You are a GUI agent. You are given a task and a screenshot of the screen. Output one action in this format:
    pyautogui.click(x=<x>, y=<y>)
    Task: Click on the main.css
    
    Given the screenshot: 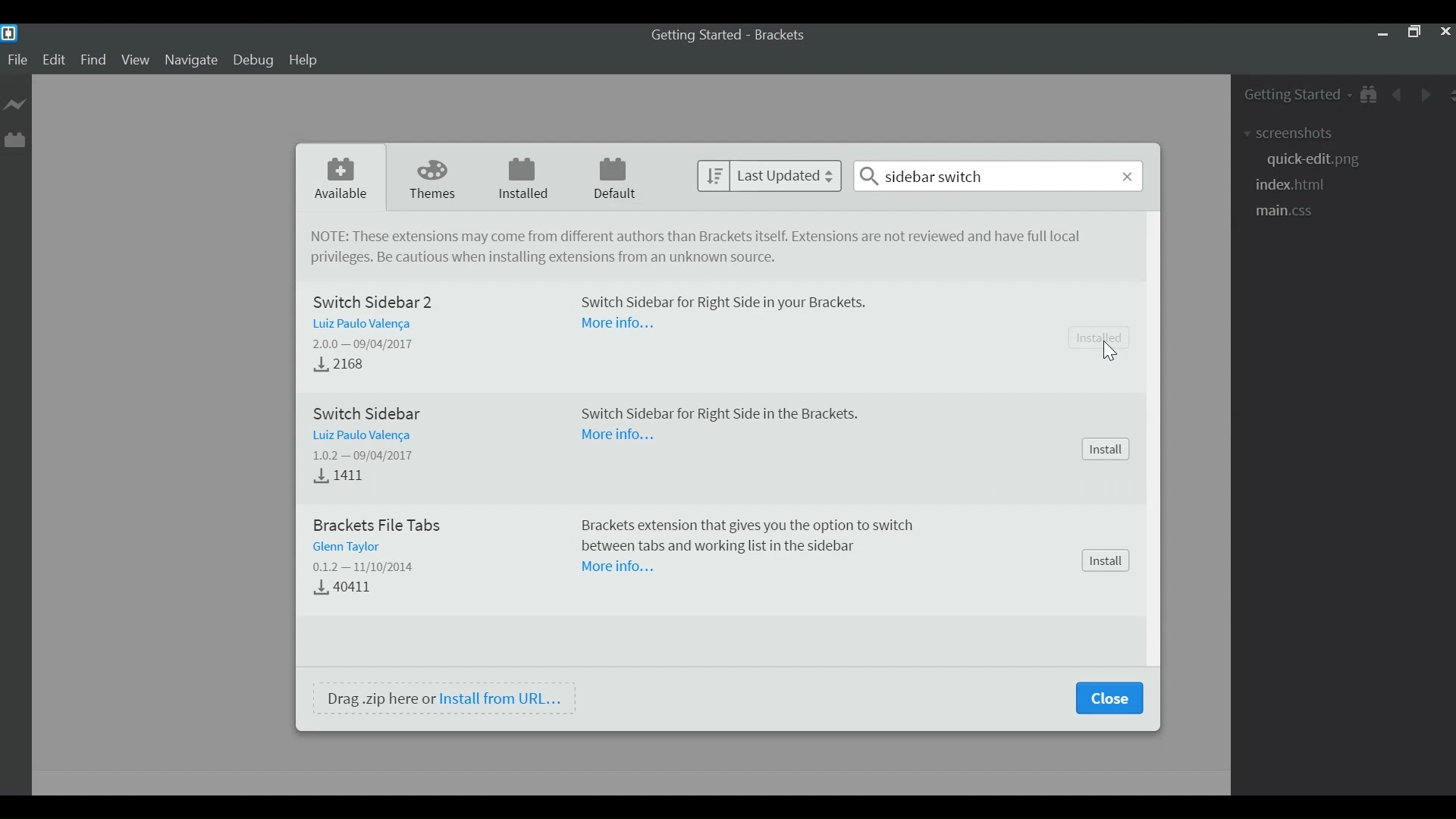 What is the action you would take?
    pyautogui.click(x=1293, y=213)
    